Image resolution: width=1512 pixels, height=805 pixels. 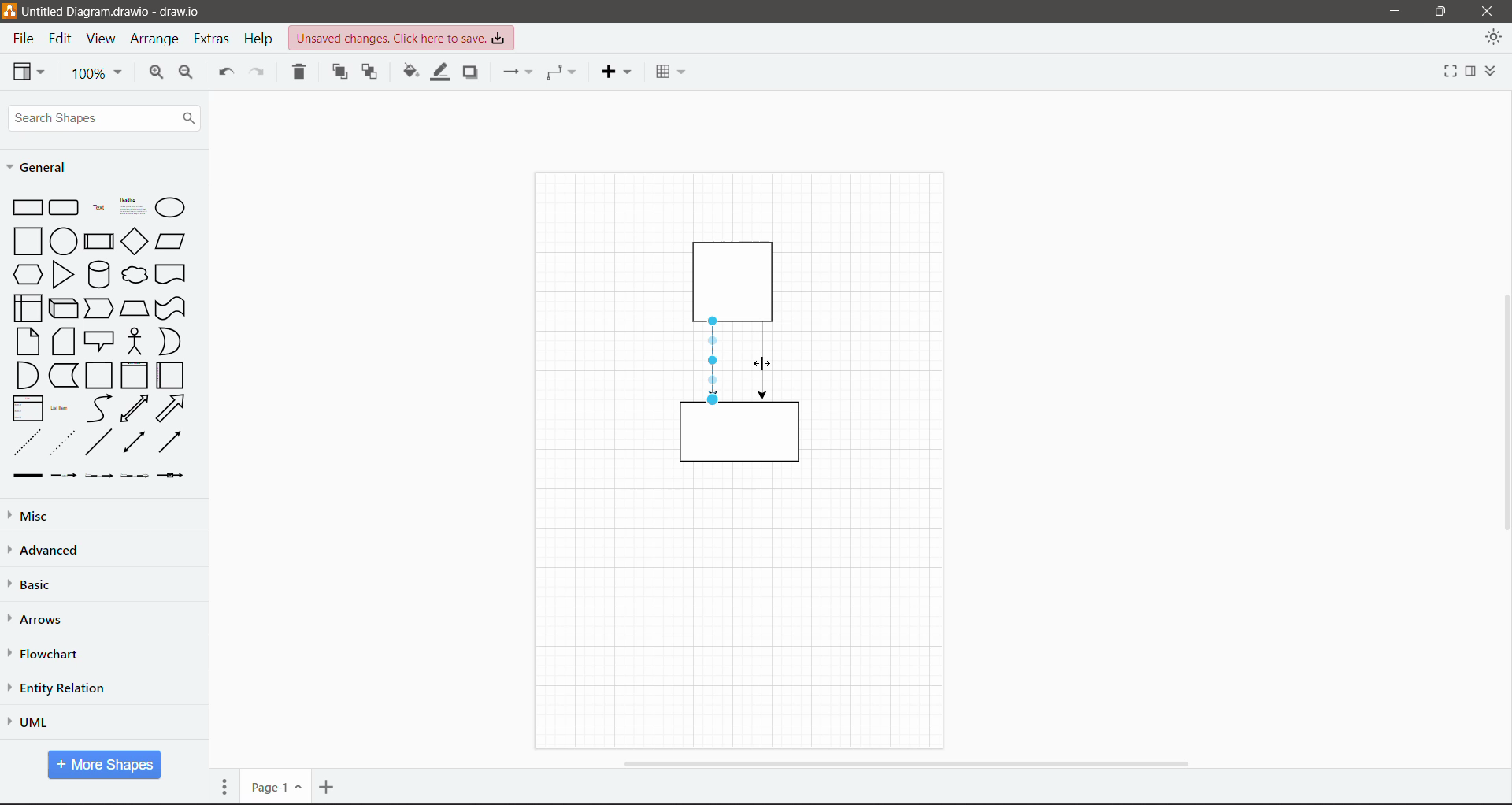 What do you see at coordinates (135, 275) in the screenshot?
I see `Cloud` at bounding box center [135, 275].